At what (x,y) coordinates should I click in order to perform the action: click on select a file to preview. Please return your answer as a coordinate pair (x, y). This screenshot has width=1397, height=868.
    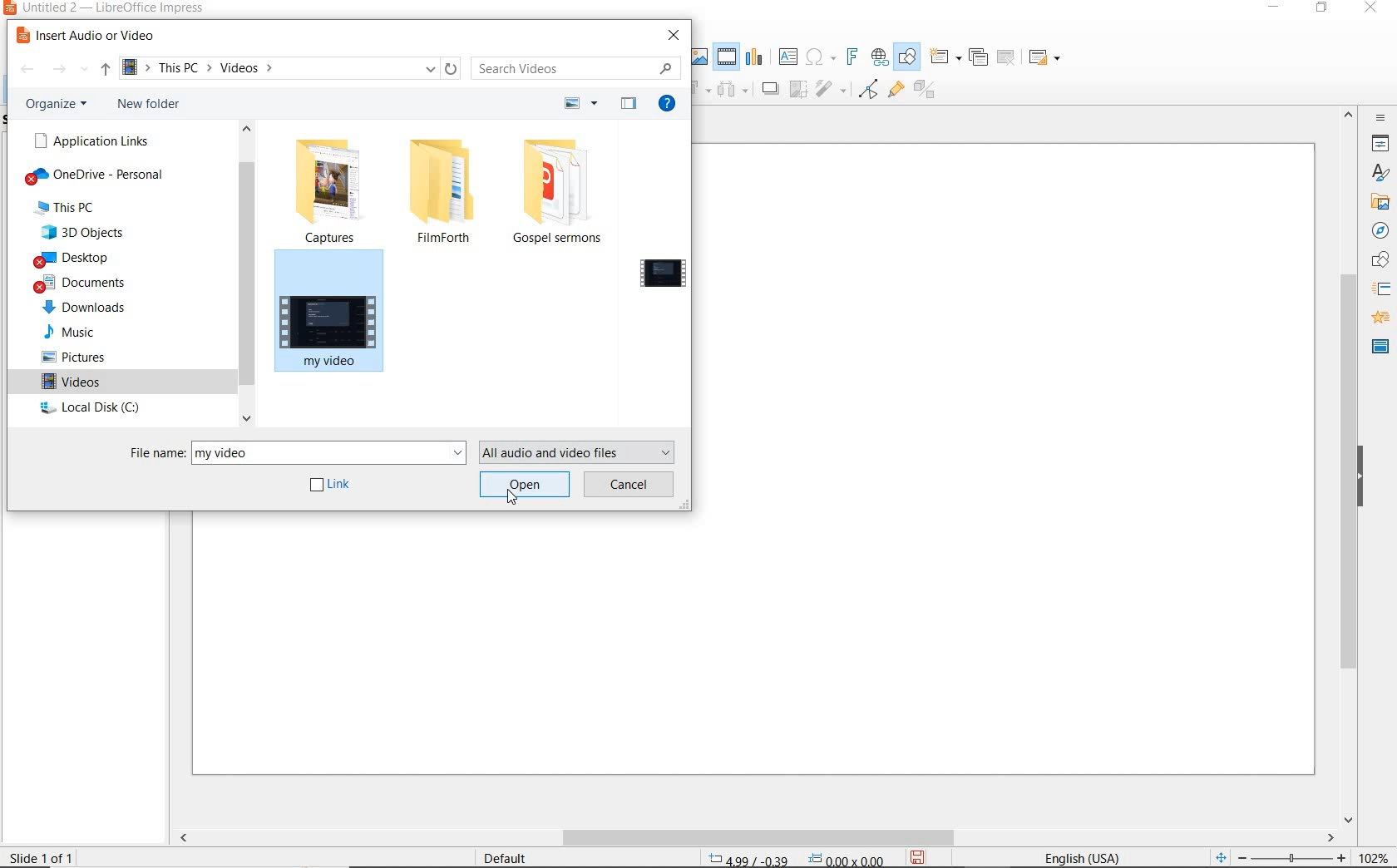
    Looking at the image, I should click on (654, 277).